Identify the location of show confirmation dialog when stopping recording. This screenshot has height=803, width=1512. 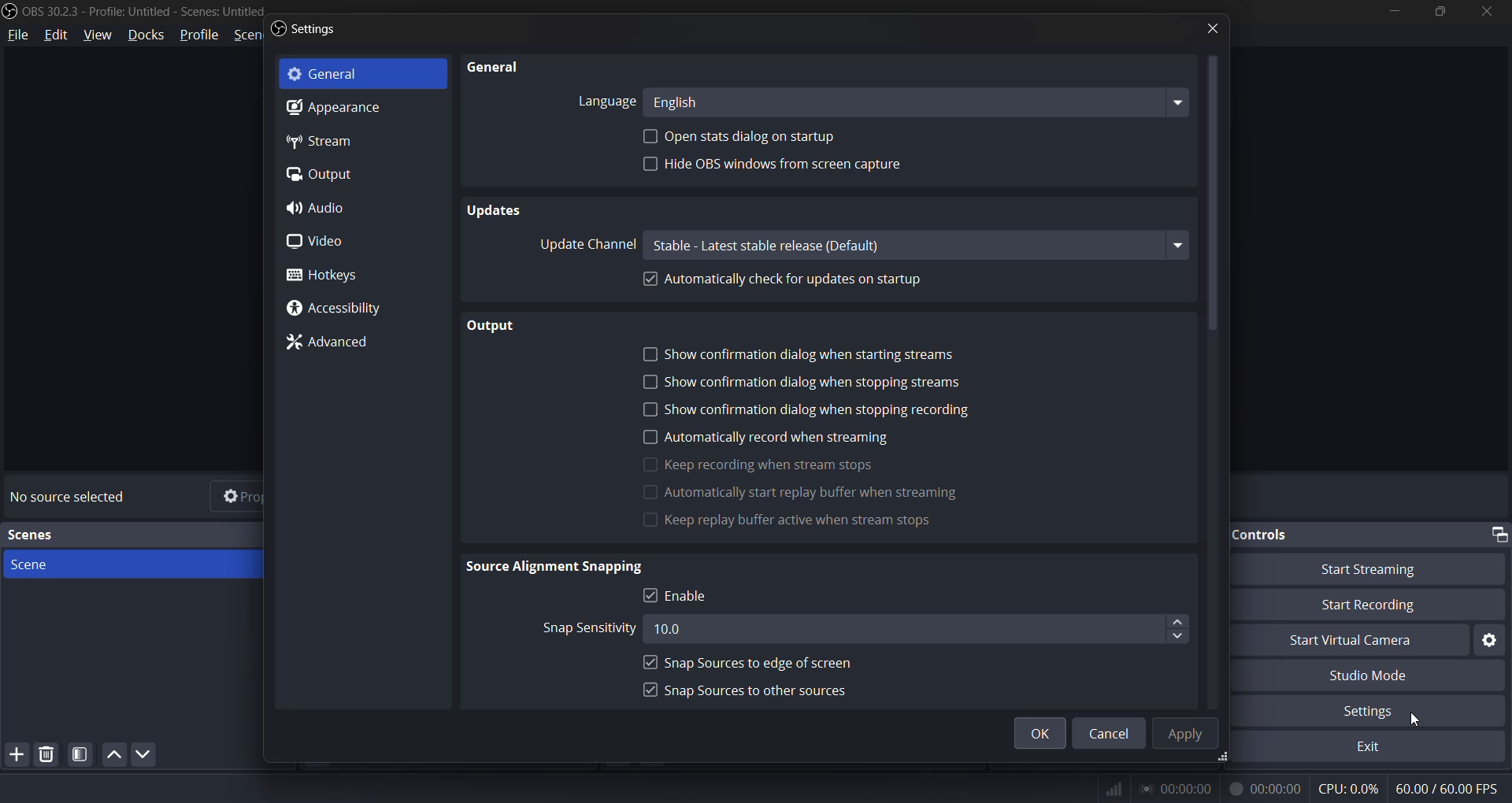
(822, 413).